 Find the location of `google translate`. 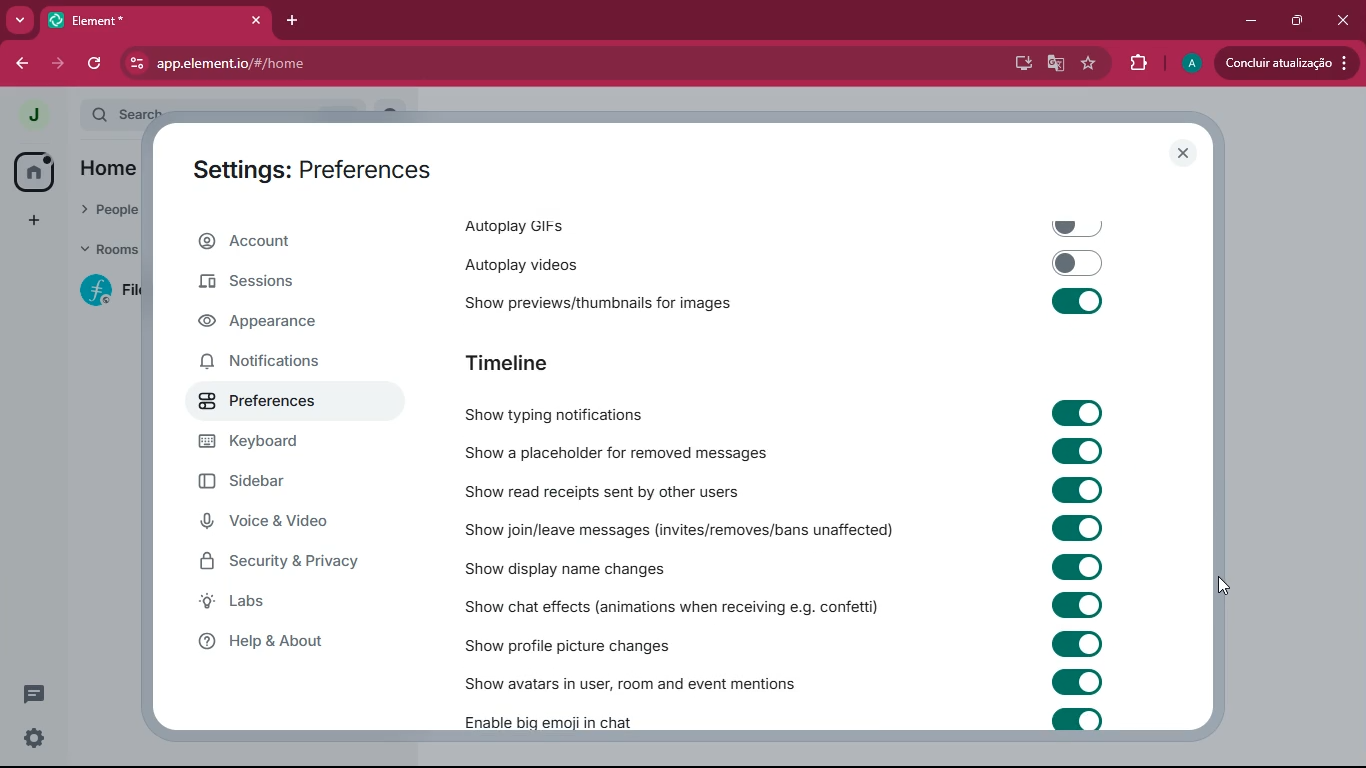

google translate is located at coordinates (1054, 63).